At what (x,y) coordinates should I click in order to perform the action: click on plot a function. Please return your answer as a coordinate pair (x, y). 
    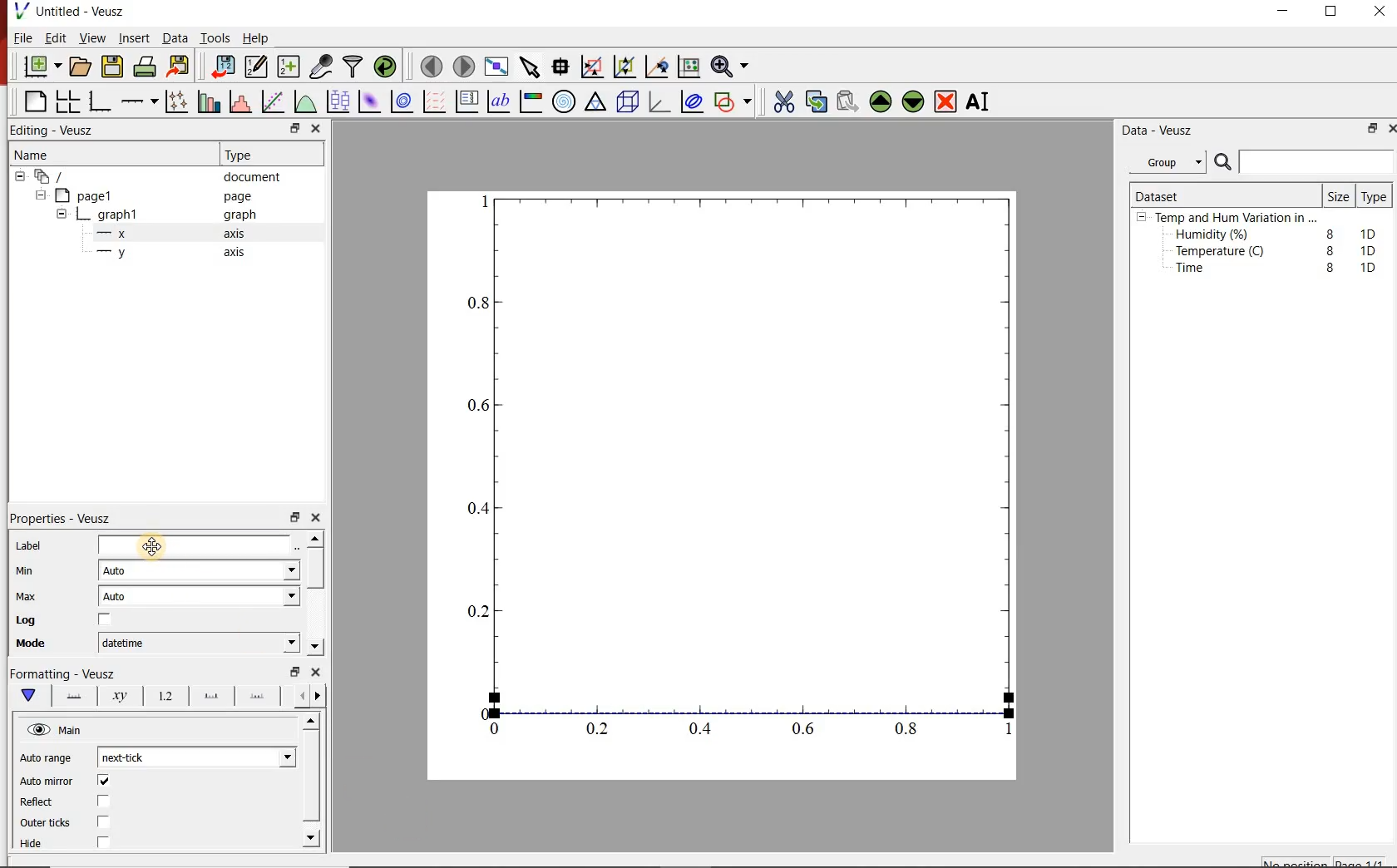
    Looking at the image, I should click on (307, 104).